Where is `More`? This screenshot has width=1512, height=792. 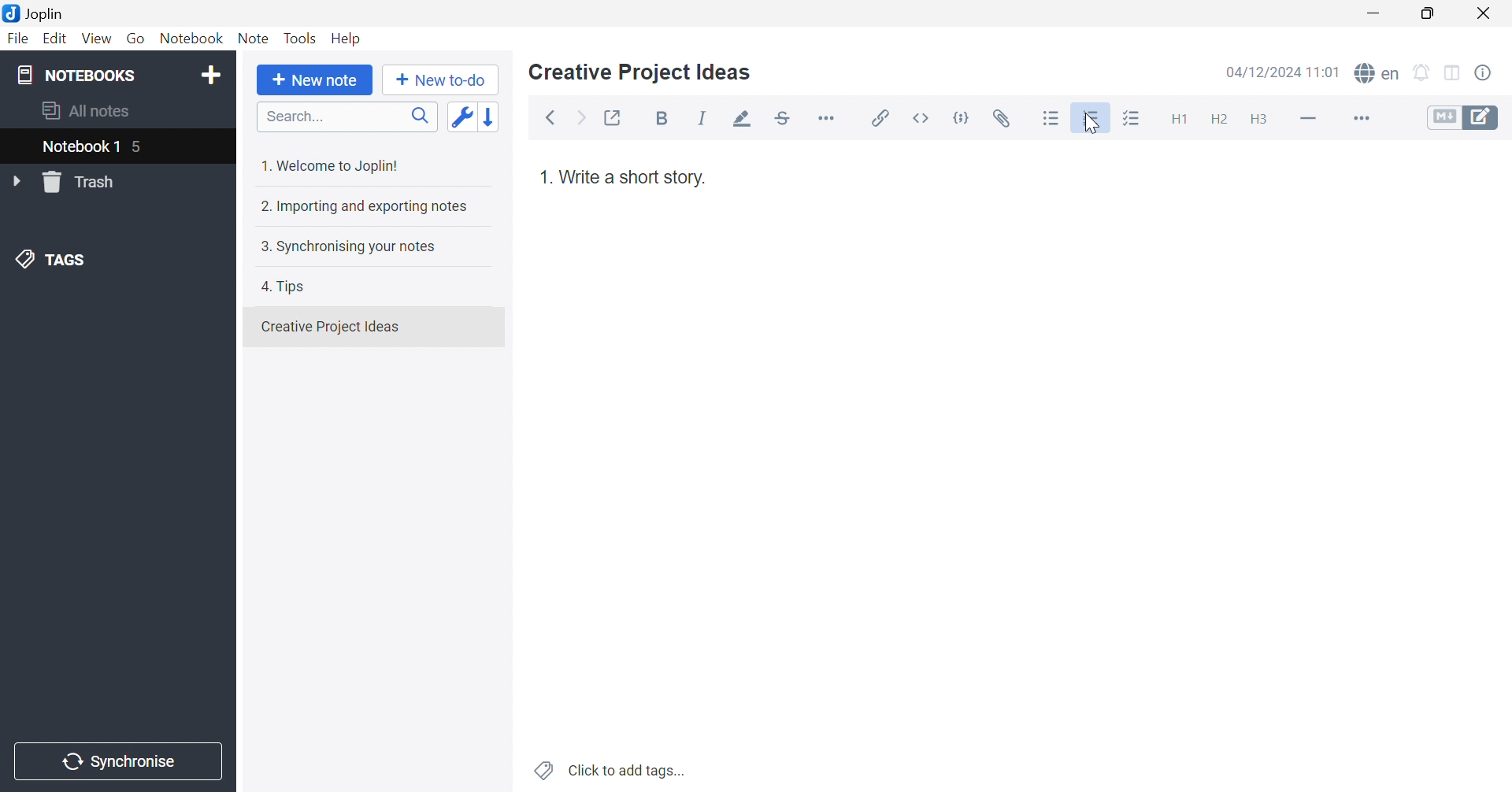 More is located at coordinates (1363, 120).